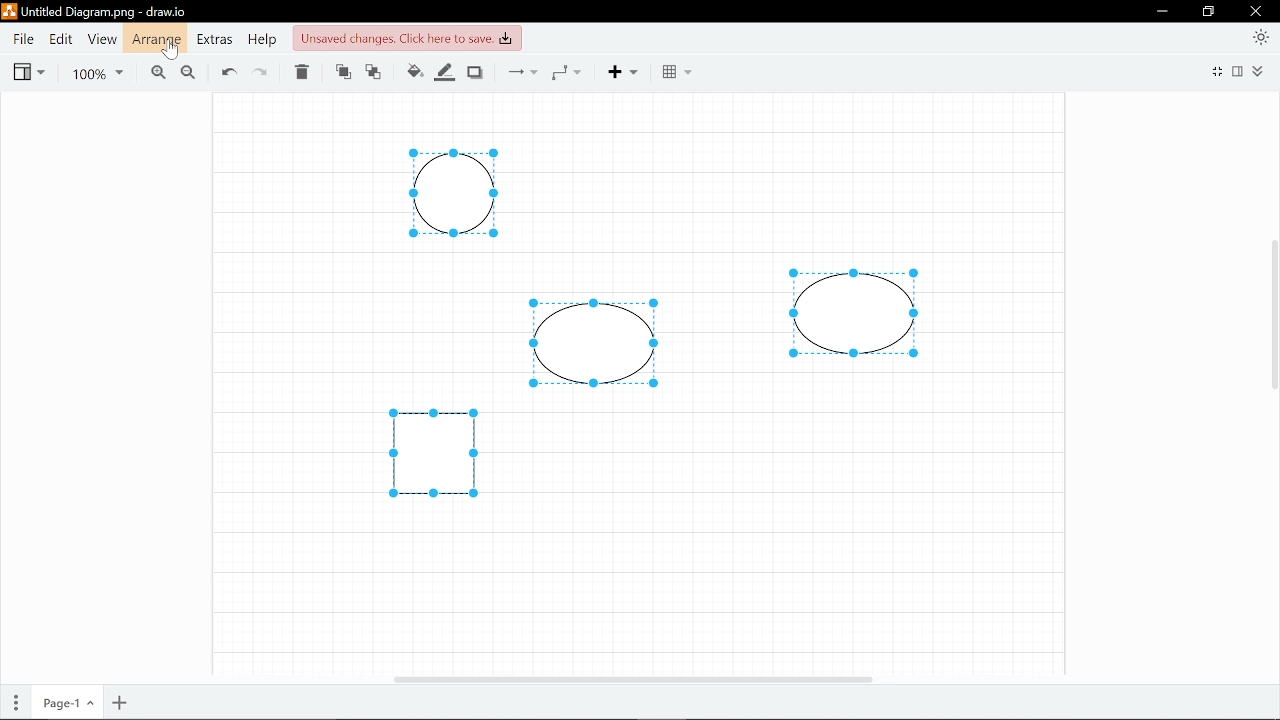 This screenshot has height=720, width=1280. Describe the element at coordinates (520, 71) in the screenshot. I see `COnnectors` at that location.